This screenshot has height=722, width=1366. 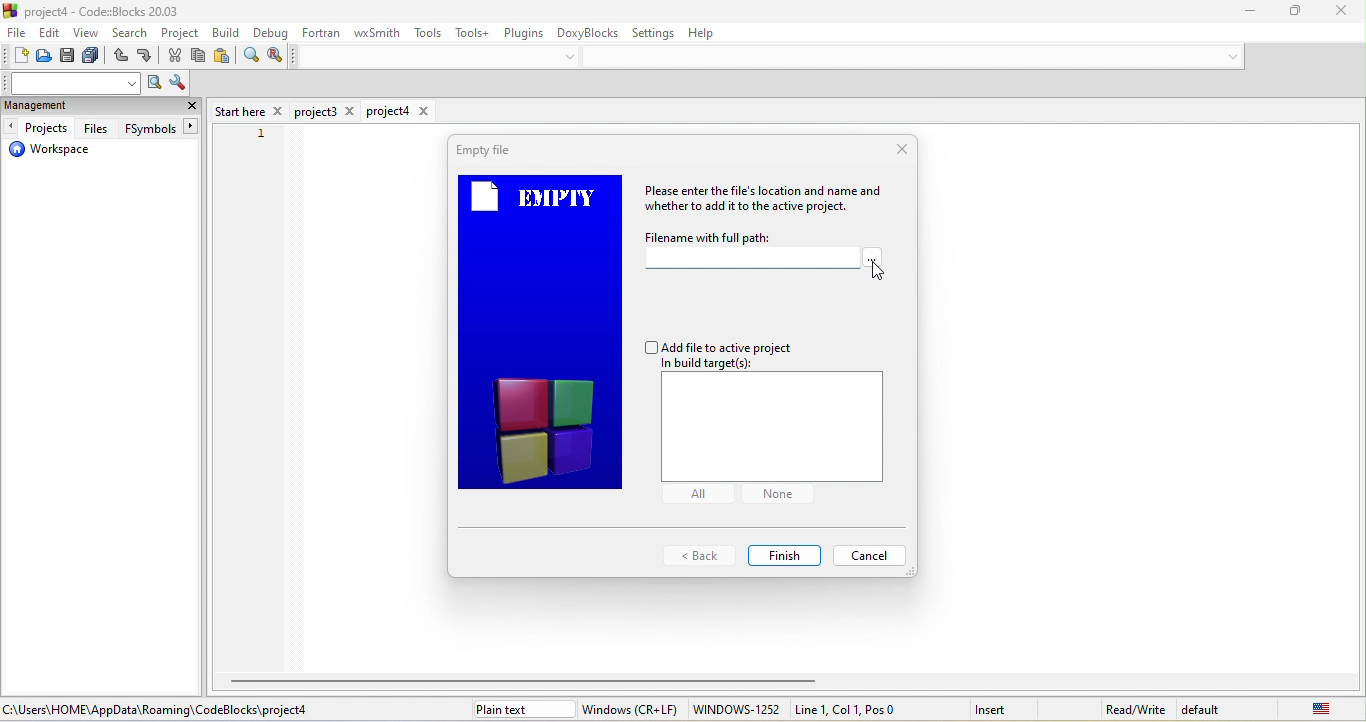 I want to click on horizontal scroll bar, so click(x=529, y=681).